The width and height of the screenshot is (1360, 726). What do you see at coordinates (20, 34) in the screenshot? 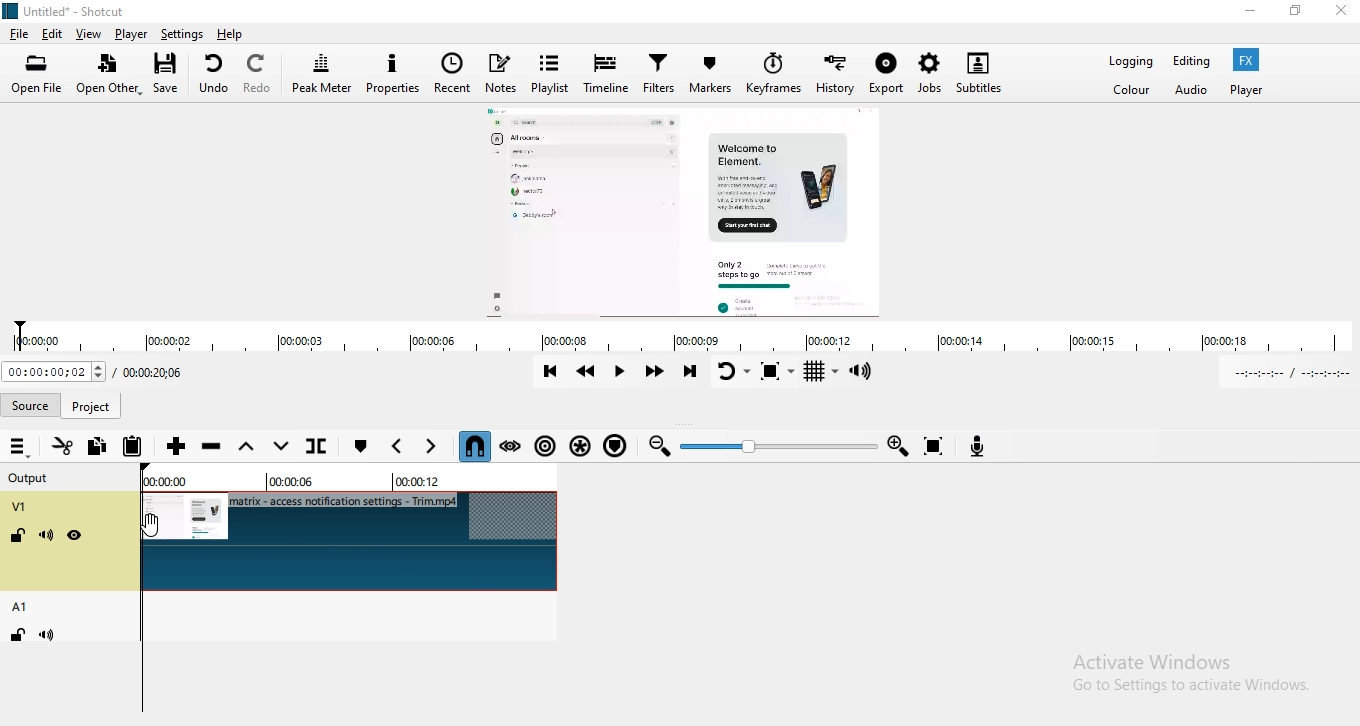
I see `File` at bounding box center [20, 34].